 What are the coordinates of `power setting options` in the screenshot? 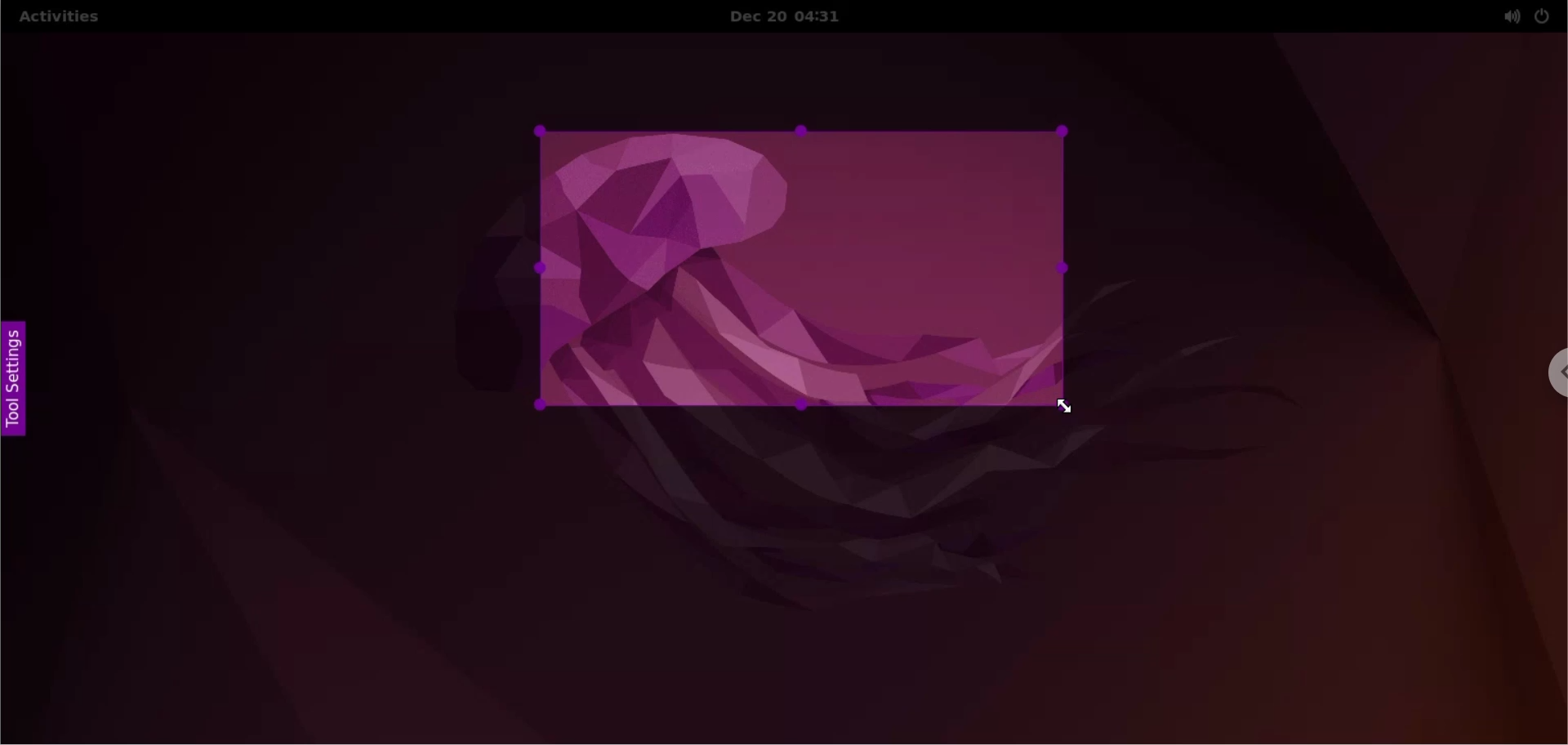 It's located at (1548, 15).